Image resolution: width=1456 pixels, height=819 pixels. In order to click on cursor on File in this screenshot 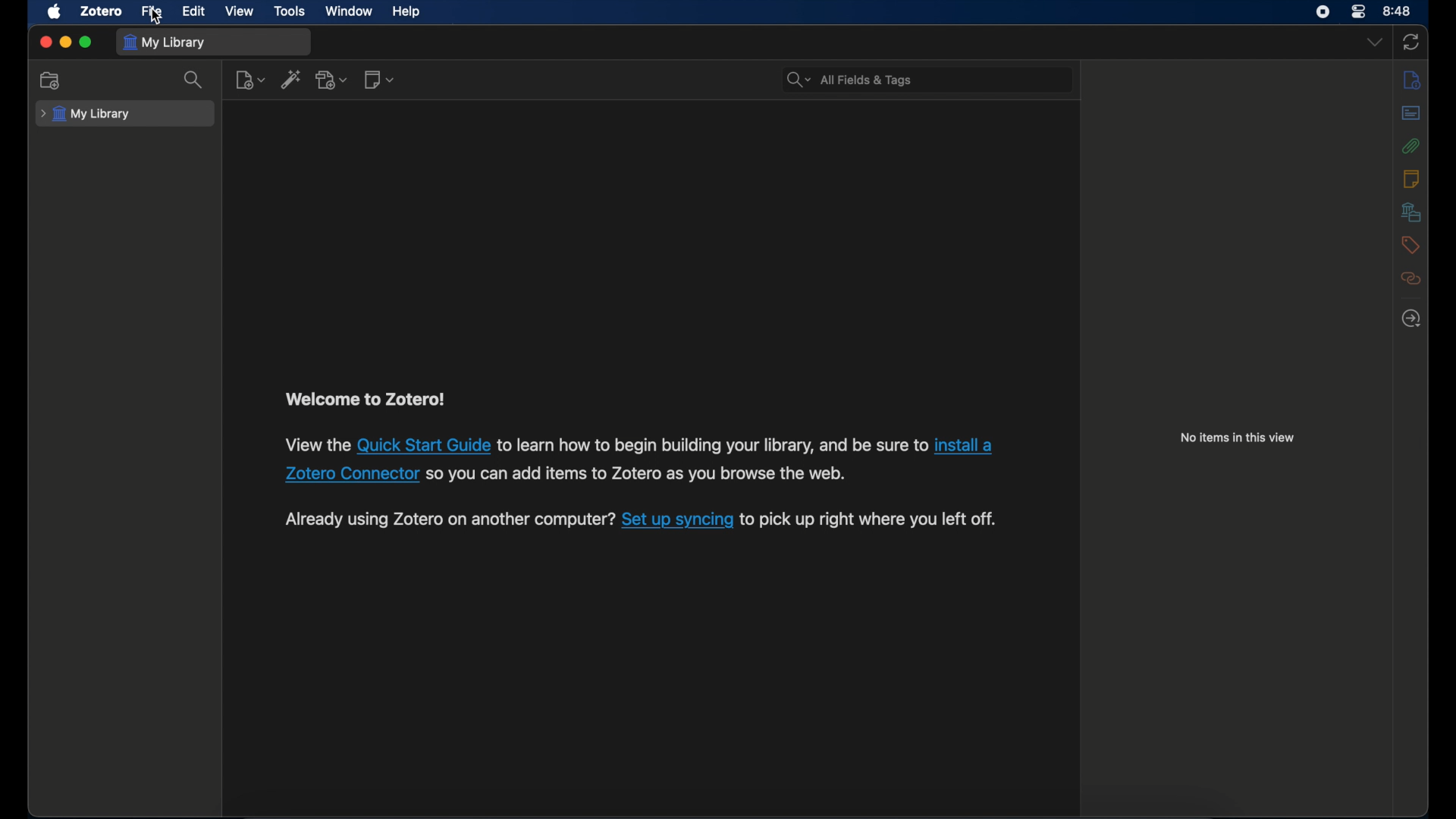, I will do `click(155, 17)`.